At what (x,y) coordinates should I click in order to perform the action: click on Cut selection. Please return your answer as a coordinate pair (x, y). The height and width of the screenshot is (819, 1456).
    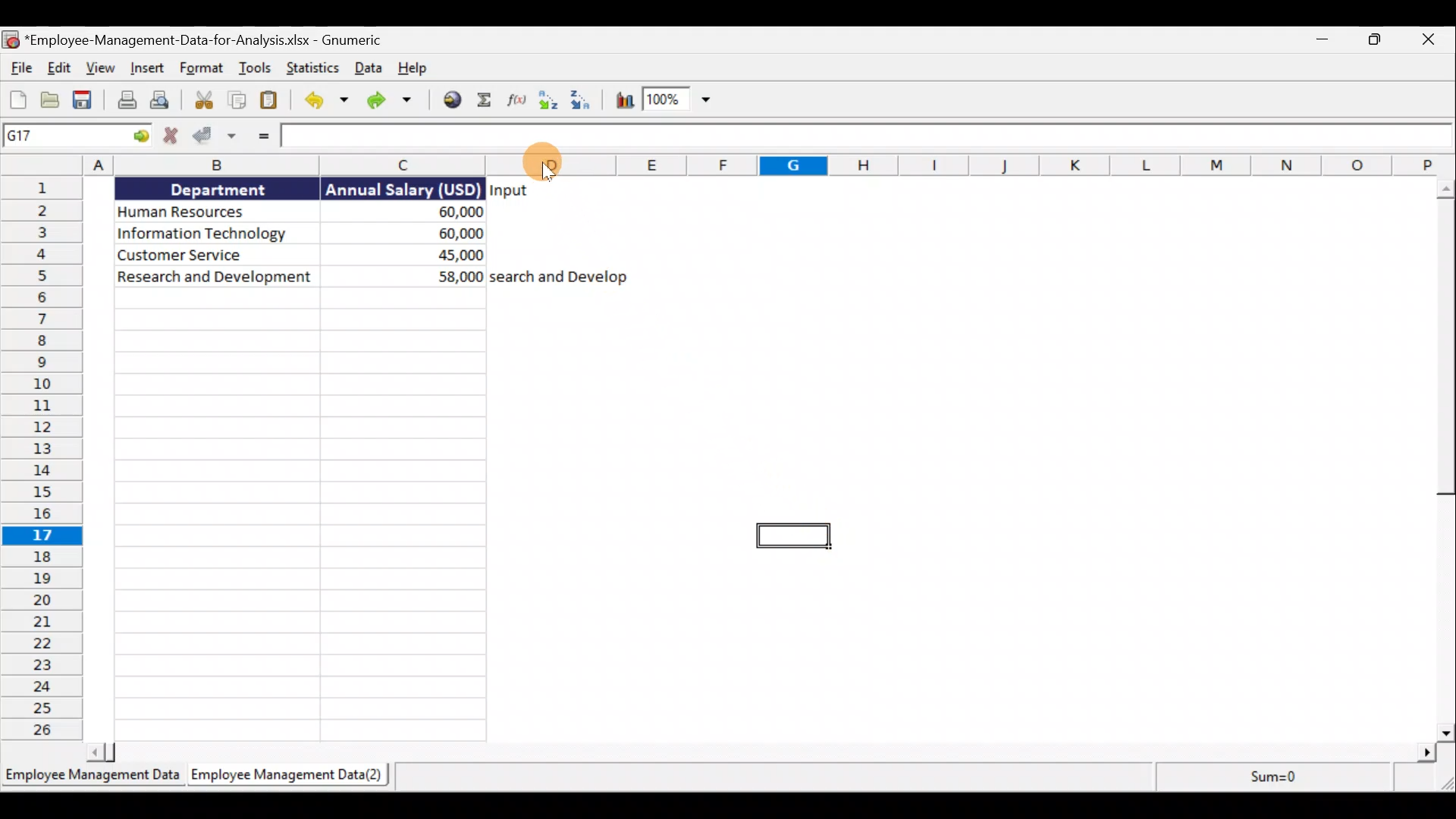
    Looking at the image, I should click on (202, 101).